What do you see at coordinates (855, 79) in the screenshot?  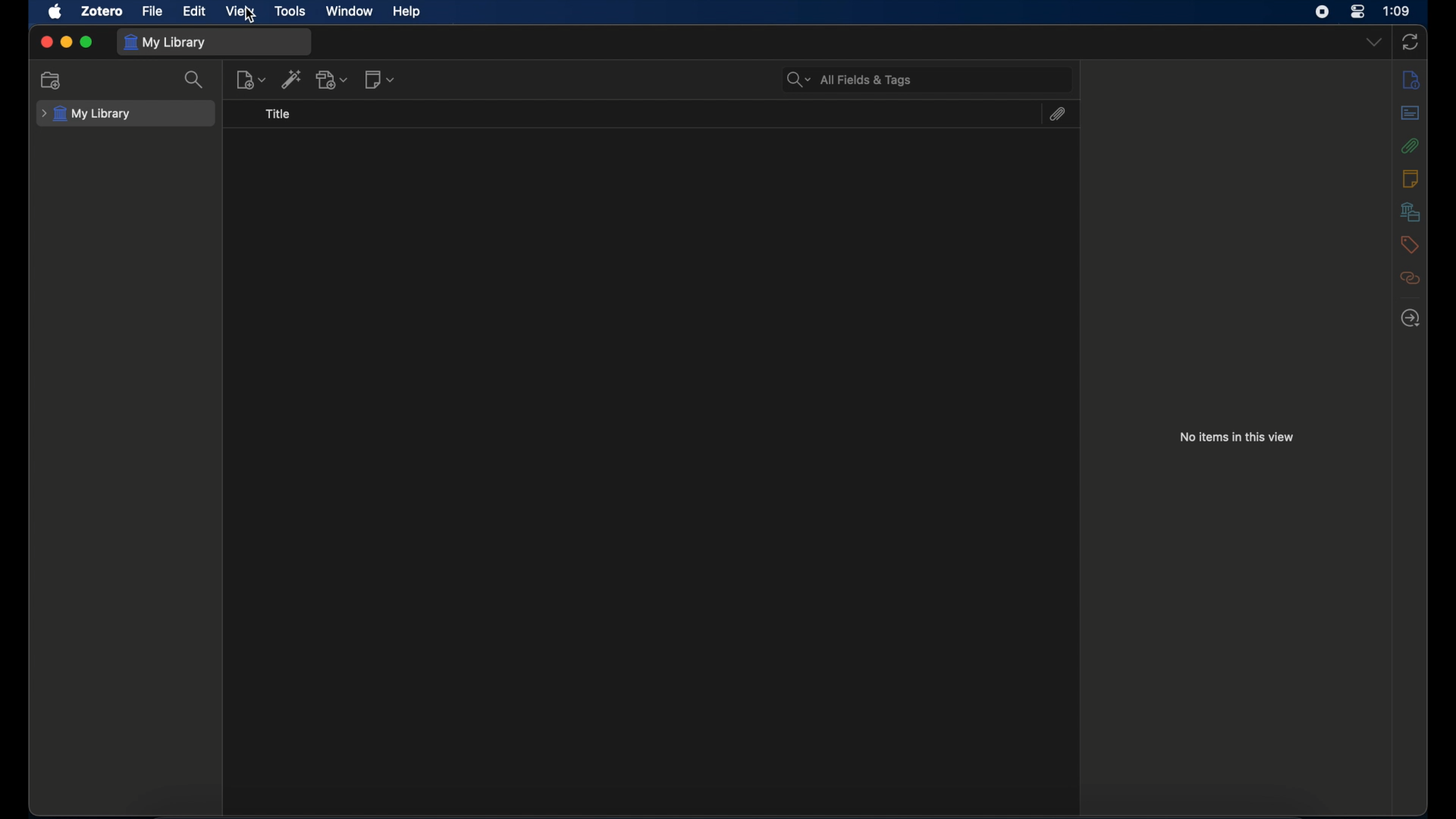 I see `All Fields & Tags` at bounding box center [855, 79].